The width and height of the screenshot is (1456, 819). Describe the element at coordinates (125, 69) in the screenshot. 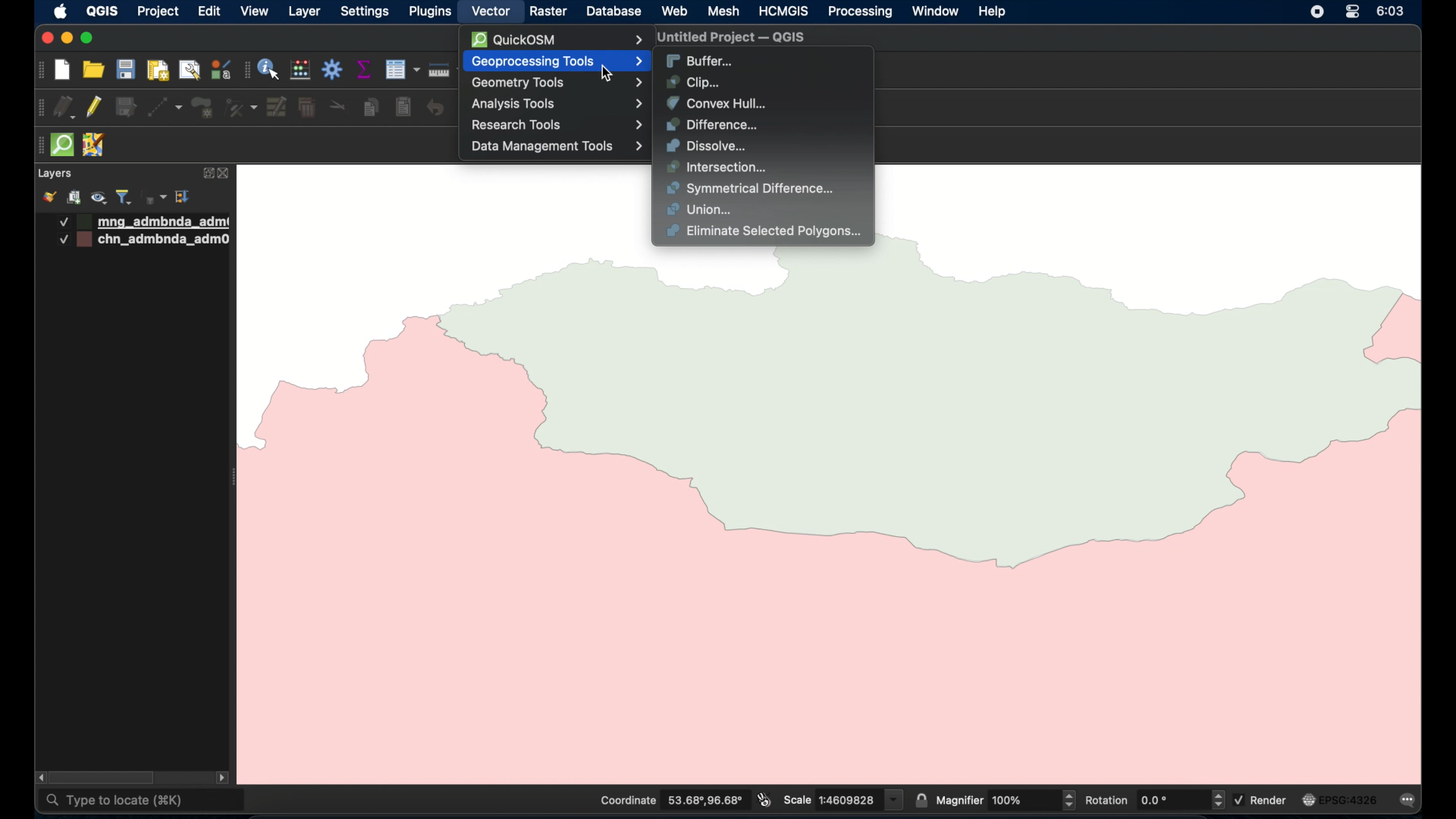

I see `save project` at that location.